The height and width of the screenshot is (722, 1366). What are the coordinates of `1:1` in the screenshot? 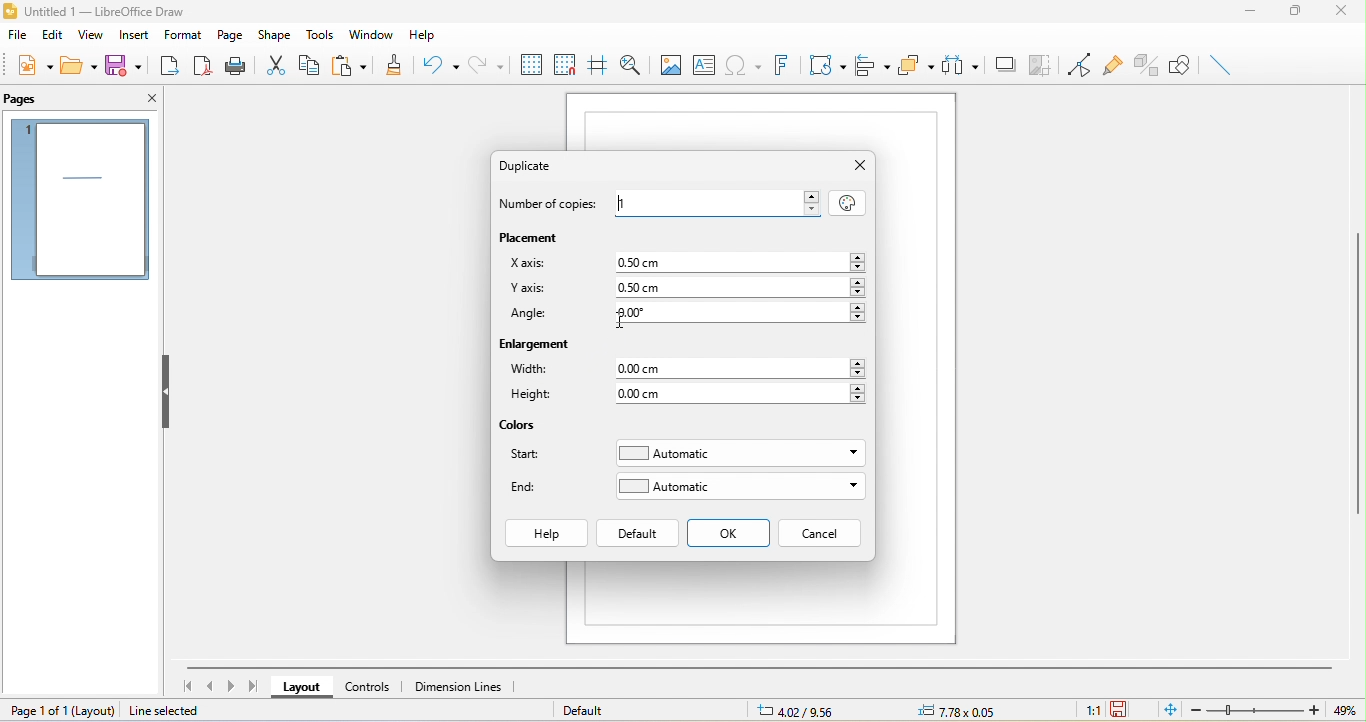 It's located at (1087, 711).